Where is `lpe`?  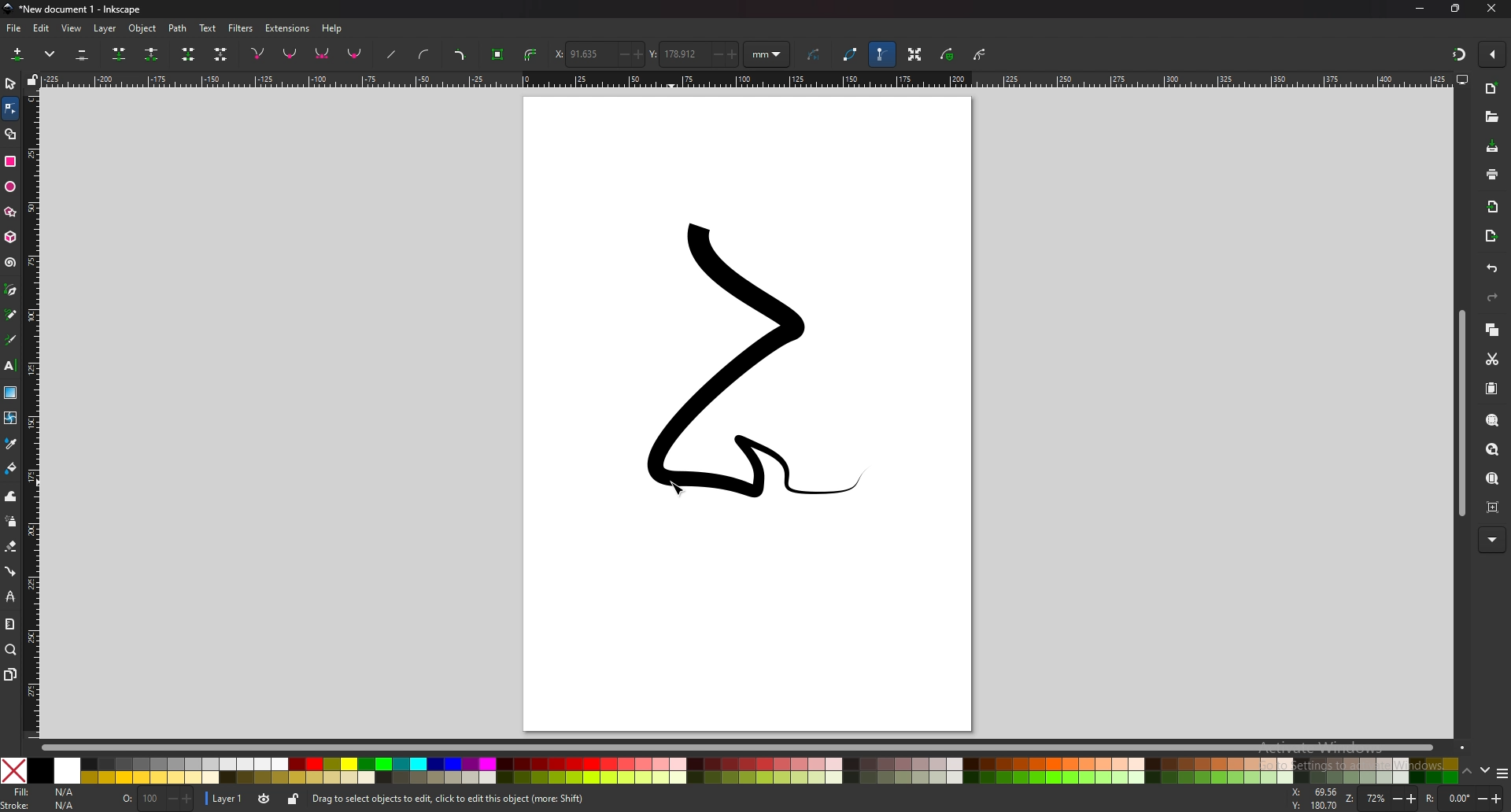 lpe is located at coordinates (10, 597).